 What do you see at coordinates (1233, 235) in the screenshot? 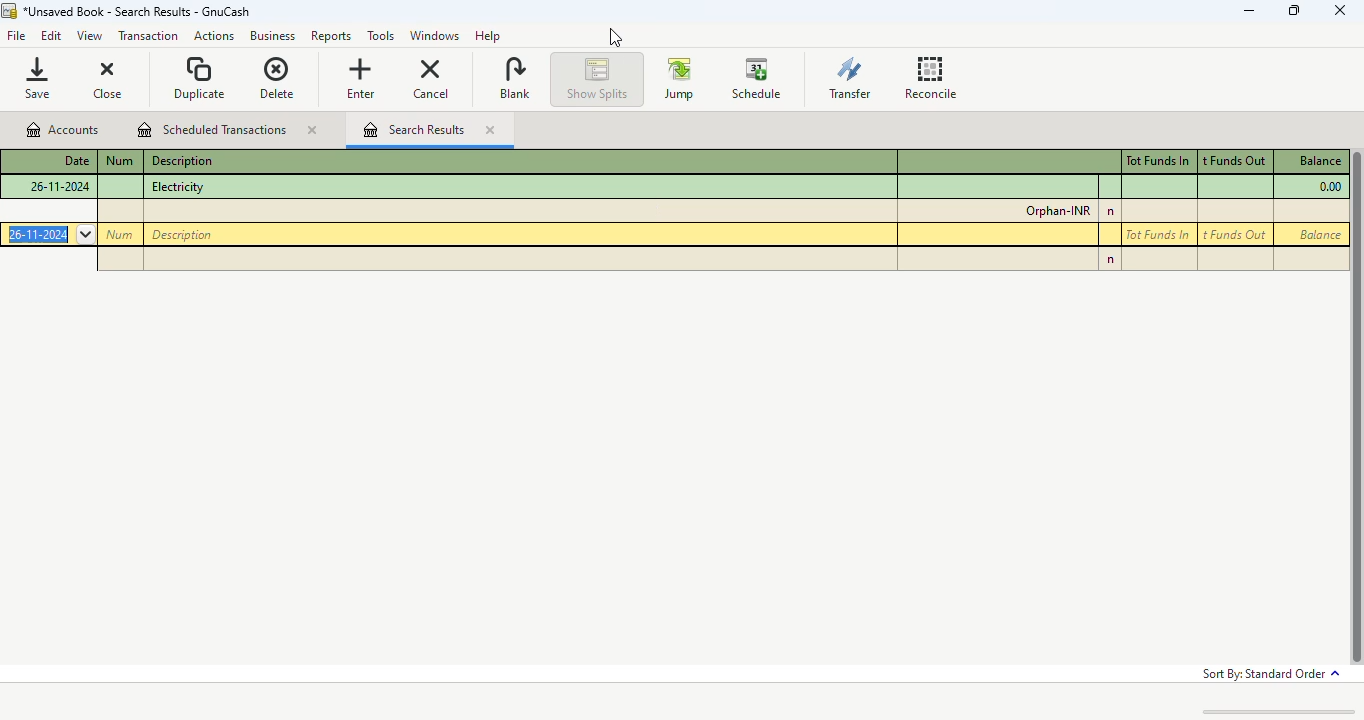
I see `t funds out` at bounding box center [1233, 235].